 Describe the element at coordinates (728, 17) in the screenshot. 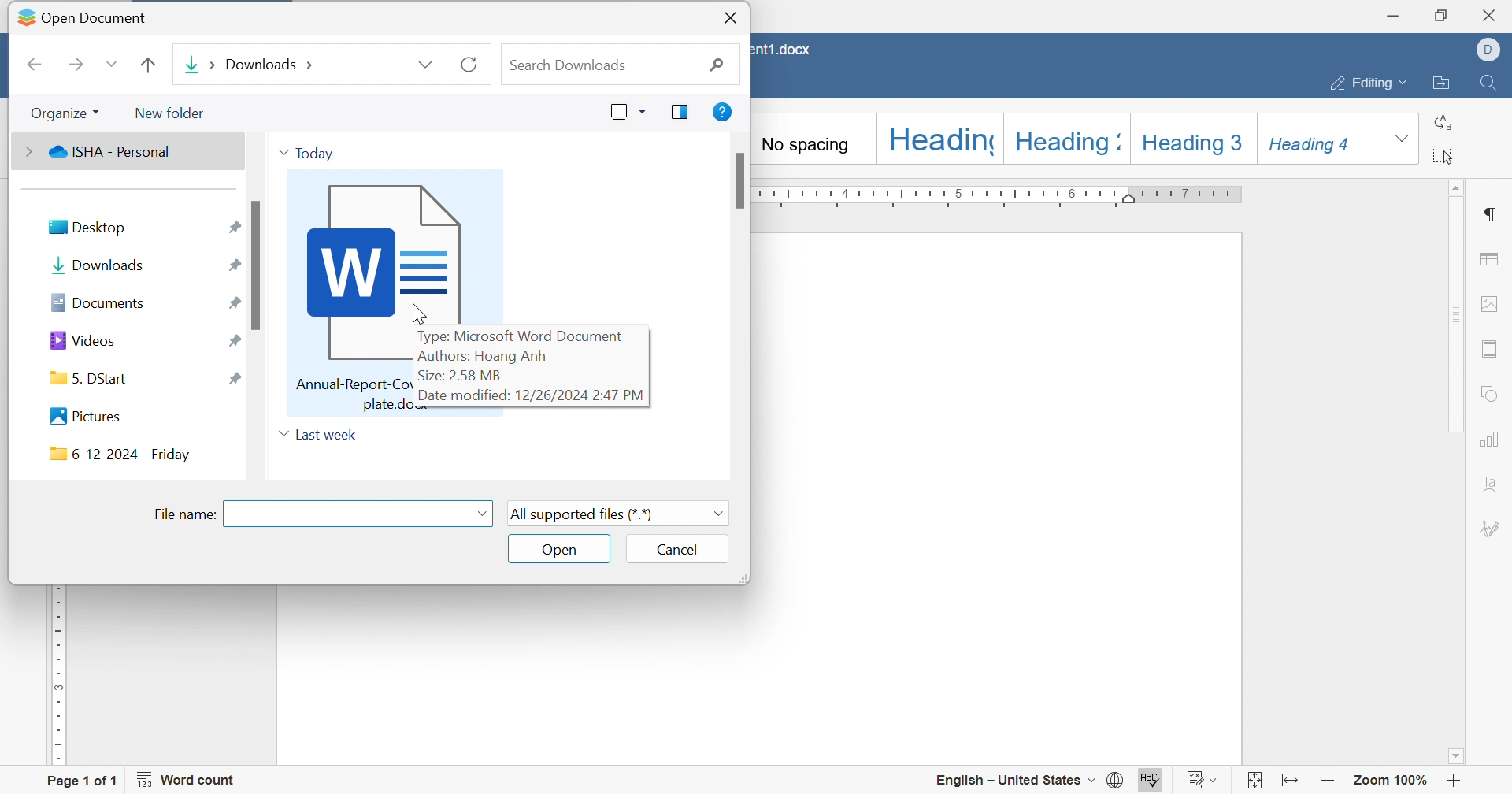

I see `close` at that location.